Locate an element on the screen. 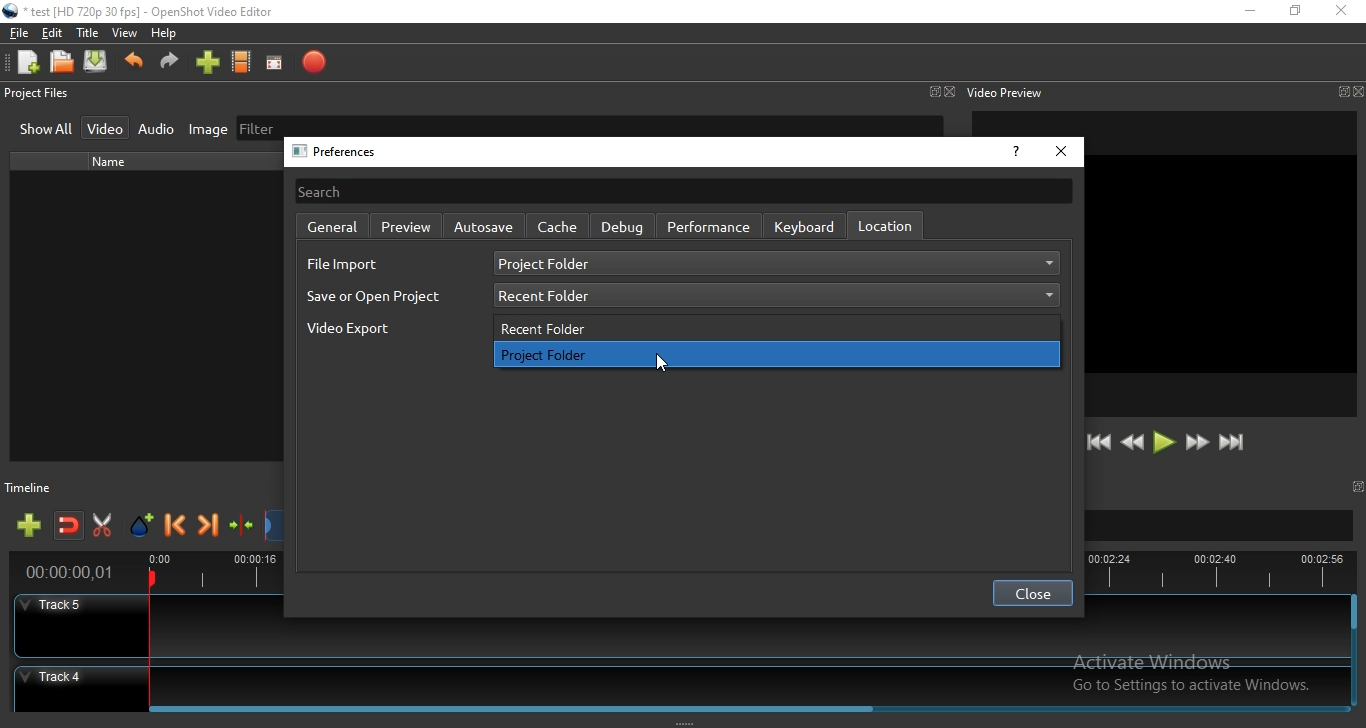 Image resolution: width=1366 pixels, height=728 pixels. Centre the timeline on the playhead is located at coordinates (242, 529).